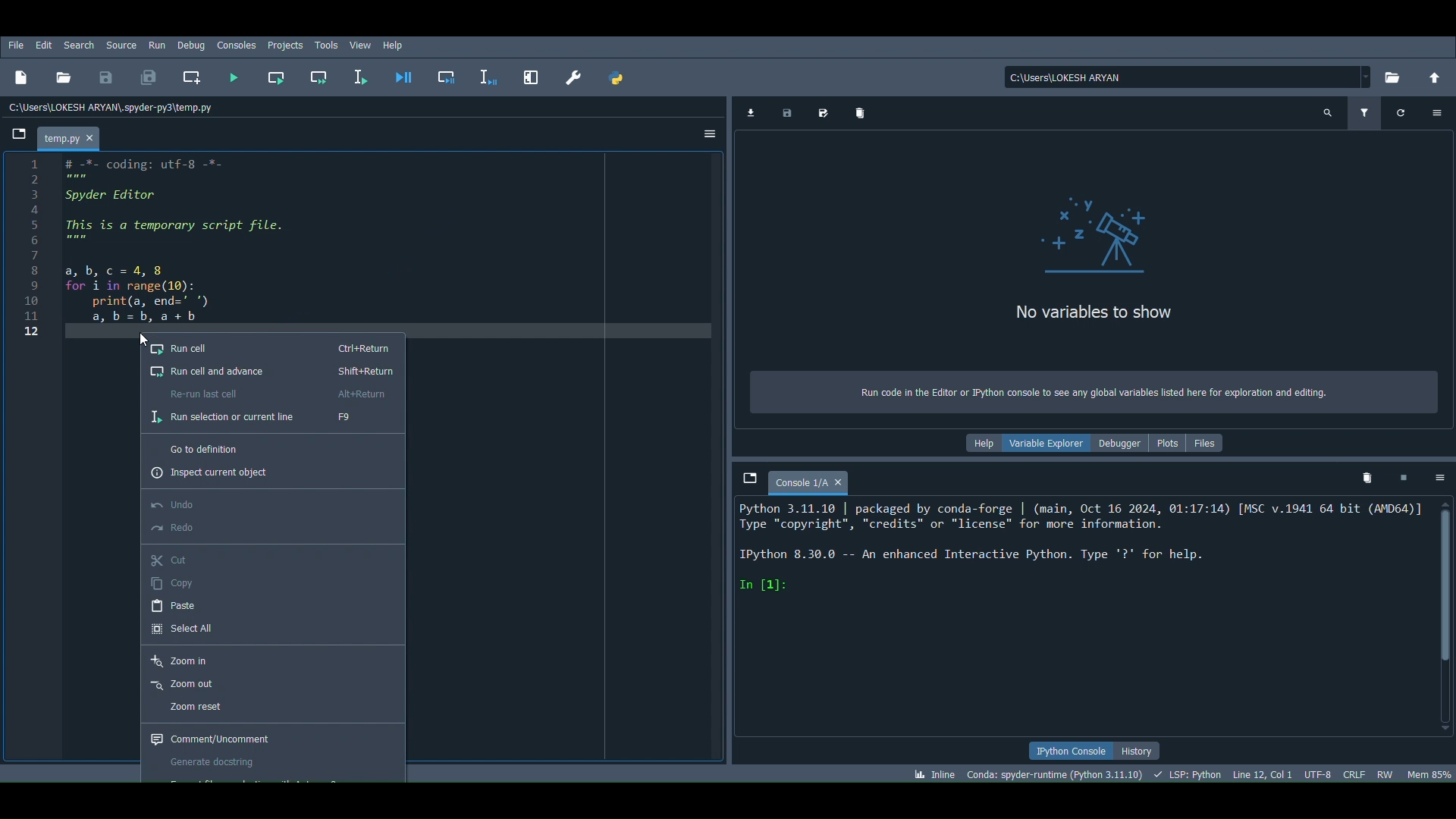 The width and height of the screenshot is (1456, 819). I want to click on Create new cell at the current line (Ctrl + 2), so click(193, 78).